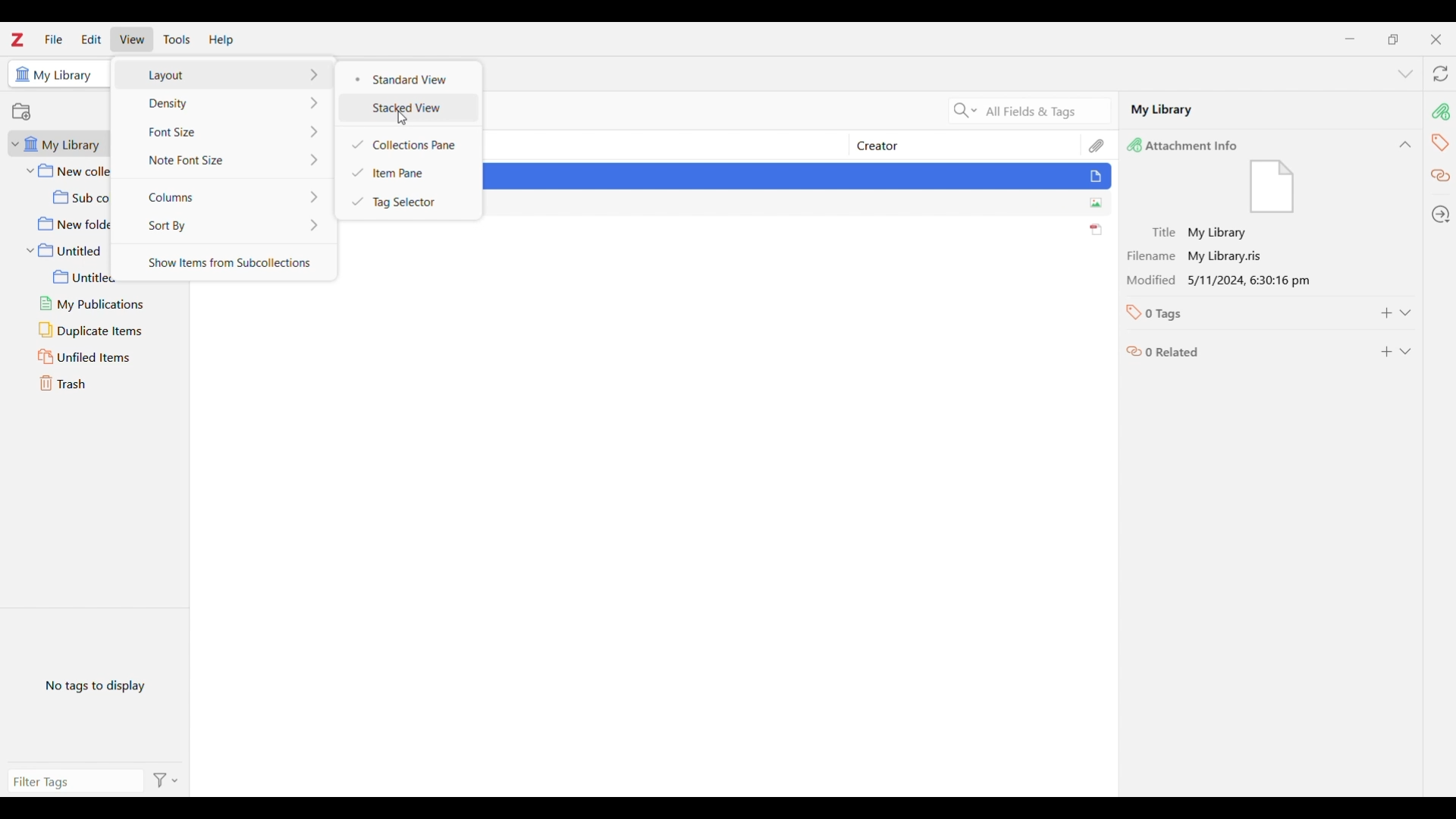 This screenshot has width=1456, height=819. Describe the element at coordinates (55, 74) in the screenshot. I see `Selected folder` at that location.